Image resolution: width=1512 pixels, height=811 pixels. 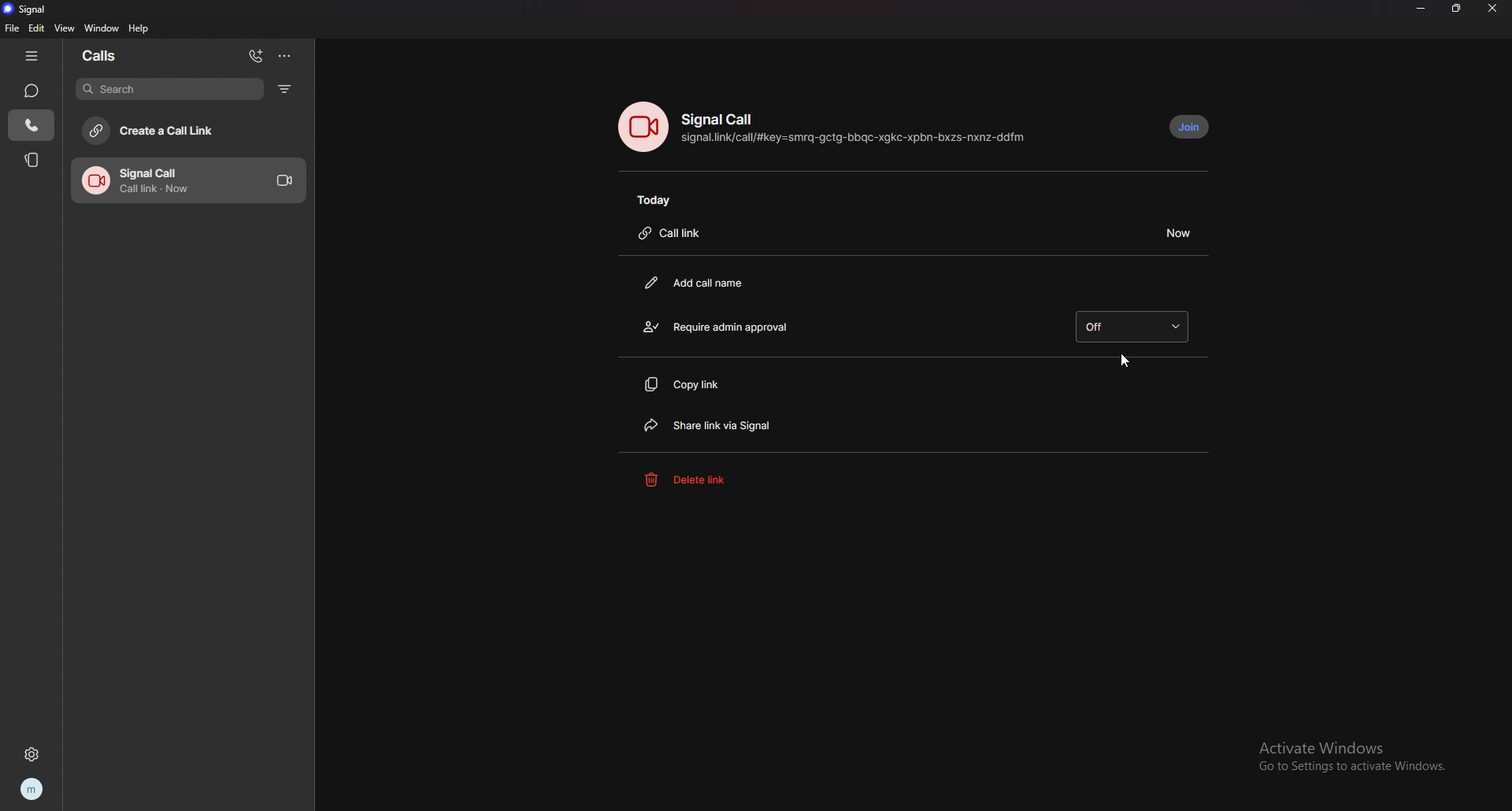 I want to click on join, so click(x=1190, y=127).